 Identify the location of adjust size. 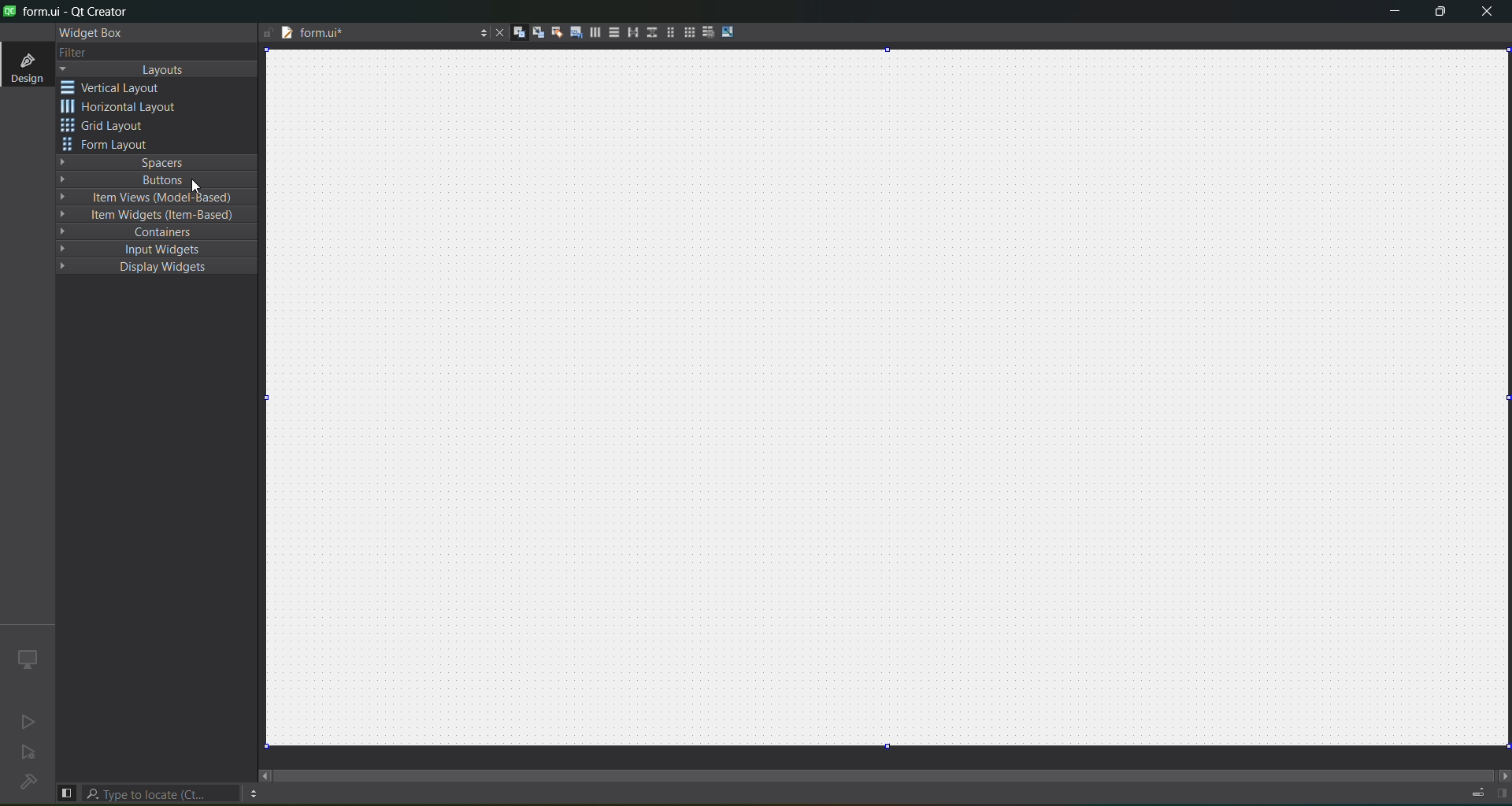
(730, 31).